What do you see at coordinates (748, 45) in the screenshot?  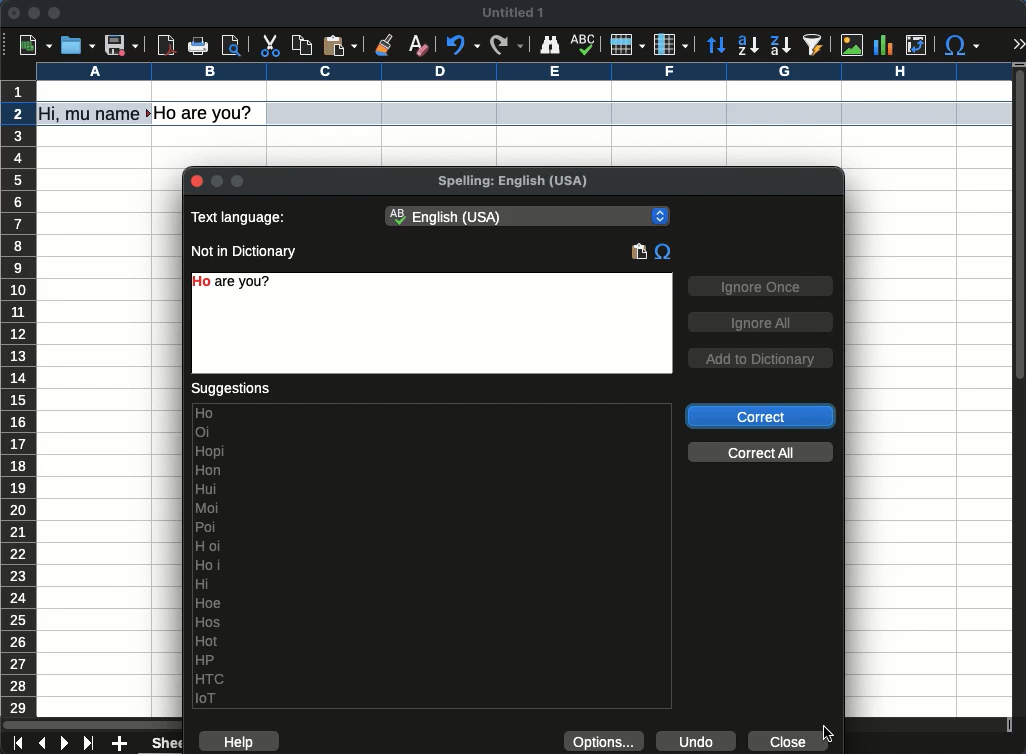 I see `ascending` at bounding box center [748, 45].